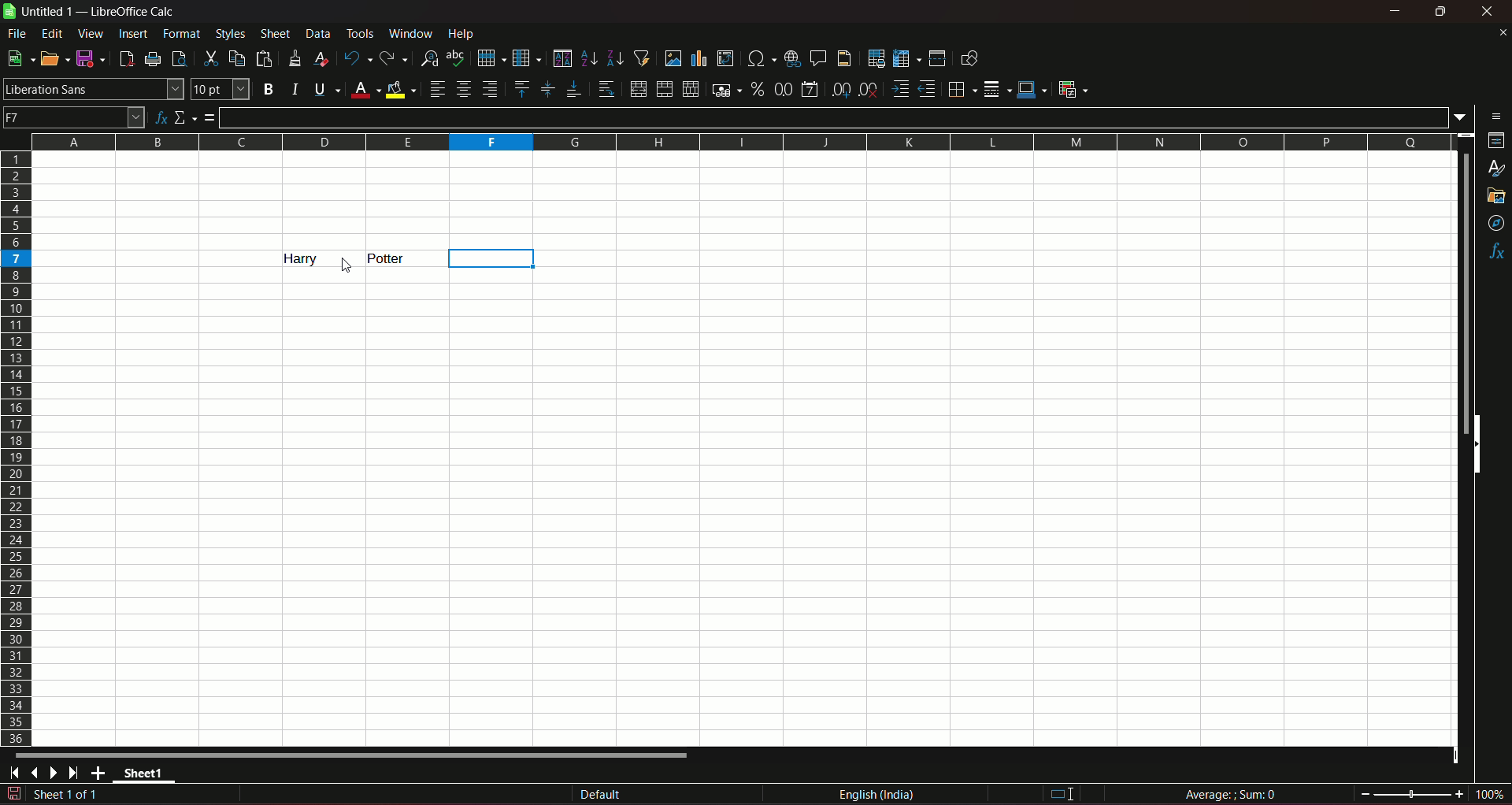 The height and width of the screenshot is (805, 1512). What do you see at coordinates (1233, 794) in the screenshot?
I see `formula` at bounding box center [1233, 794].